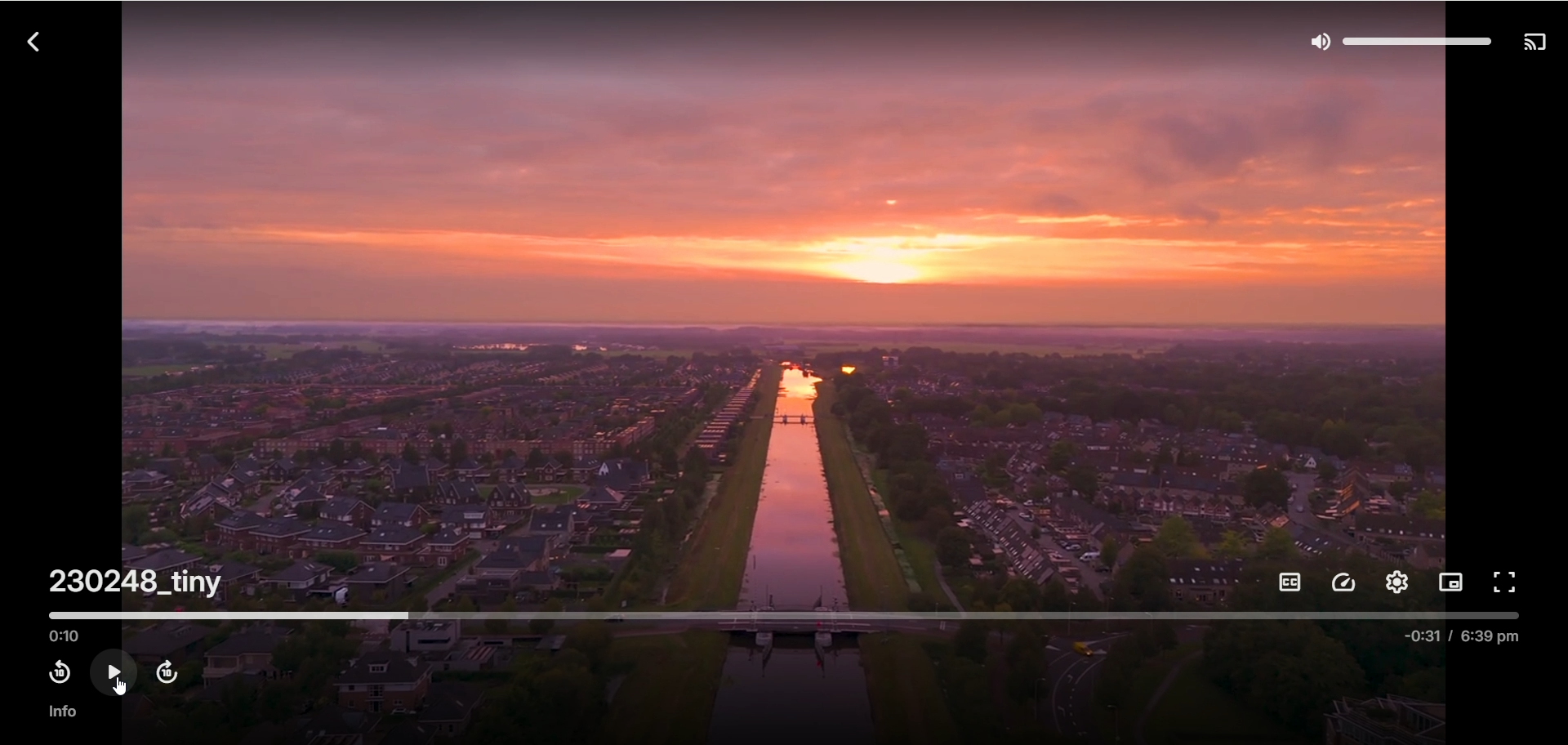 This screenshot has width=1568, height=745. I want to click on cursor, so click(119, 685).